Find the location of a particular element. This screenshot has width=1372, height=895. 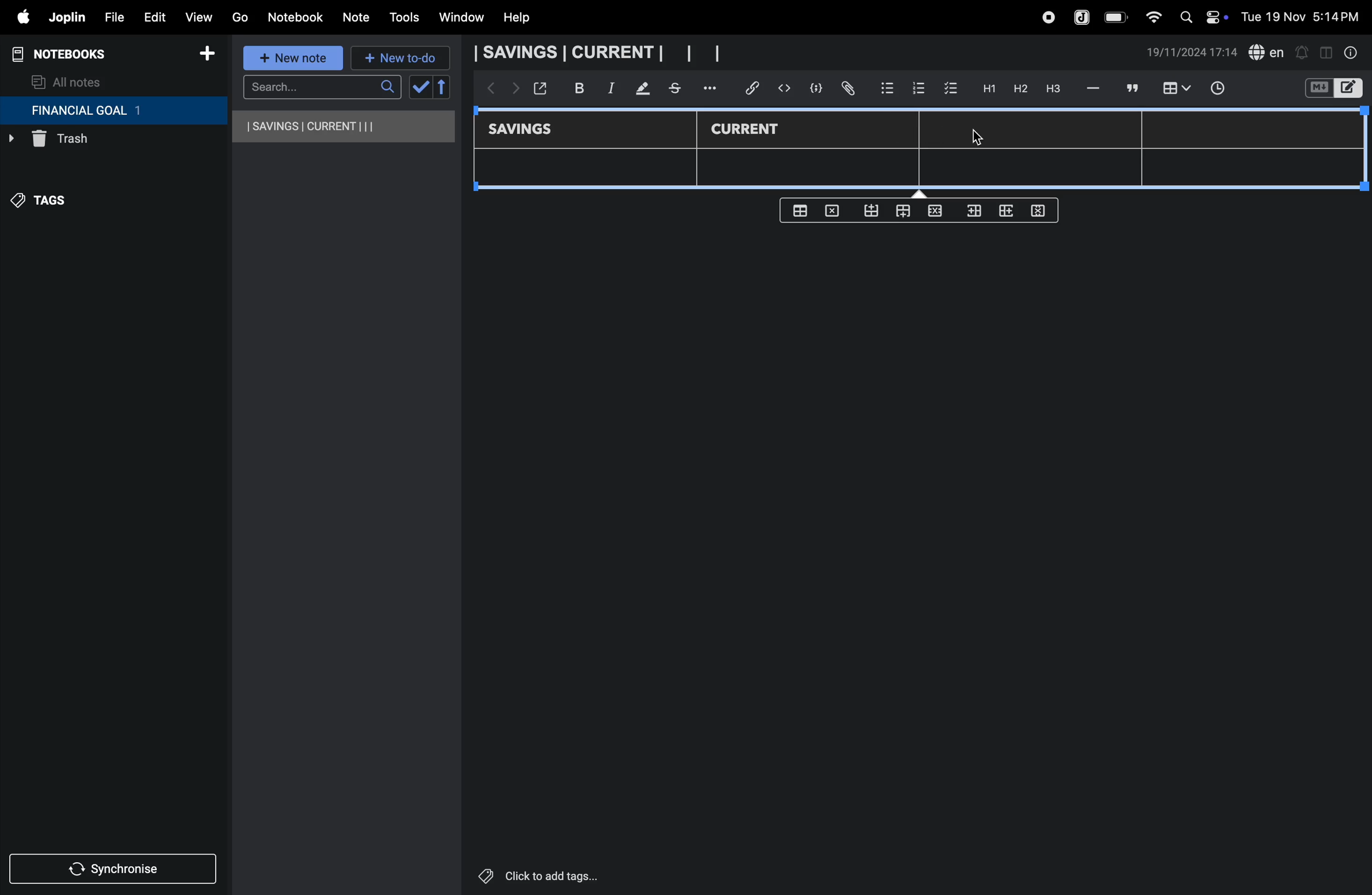

new to-do is located at coordinates (401, 59).